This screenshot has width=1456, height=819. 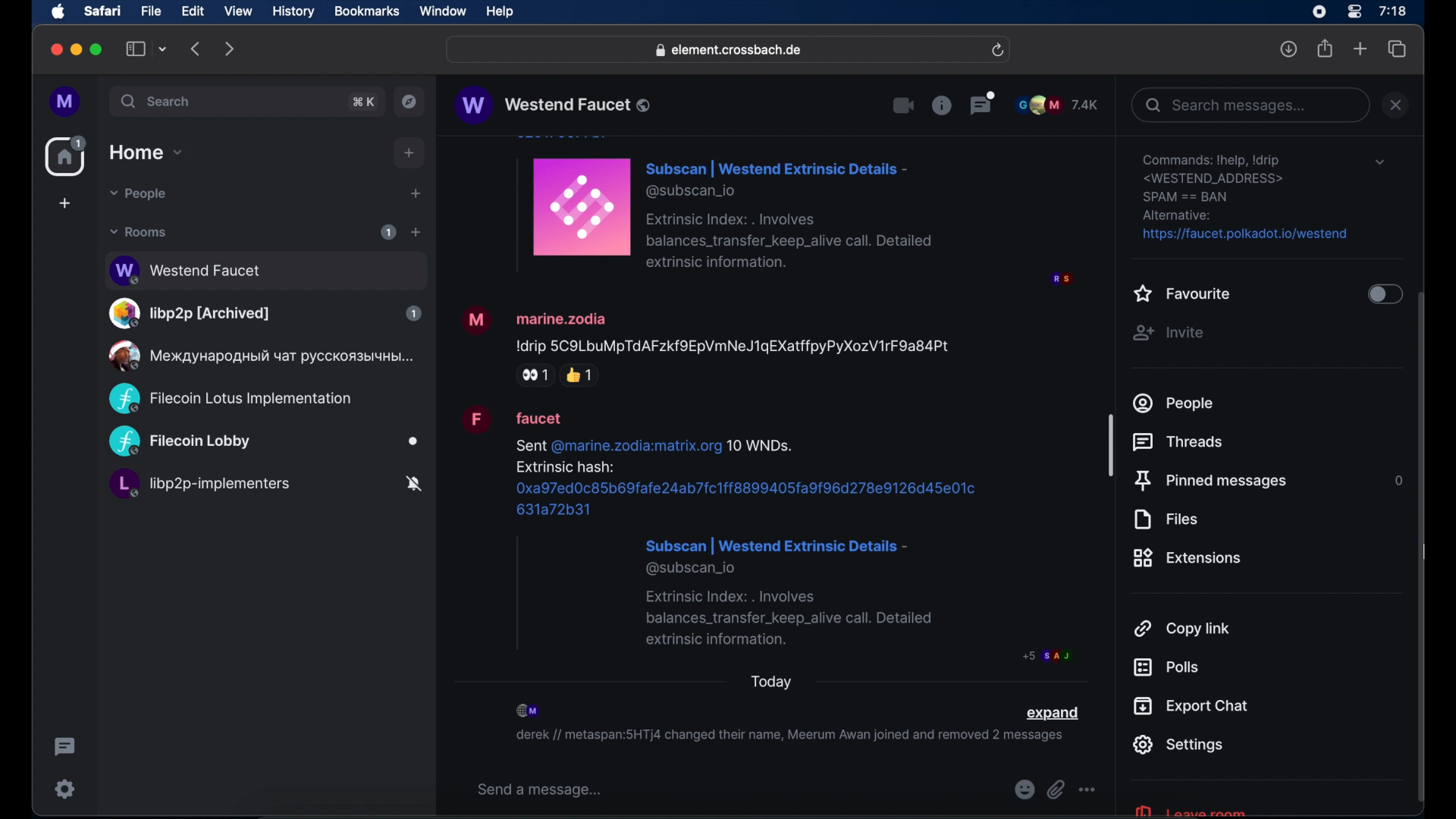 What do you see at coordinates (193, 11) in the screenshot?
I see `edit` at bounding box center [193, 11].